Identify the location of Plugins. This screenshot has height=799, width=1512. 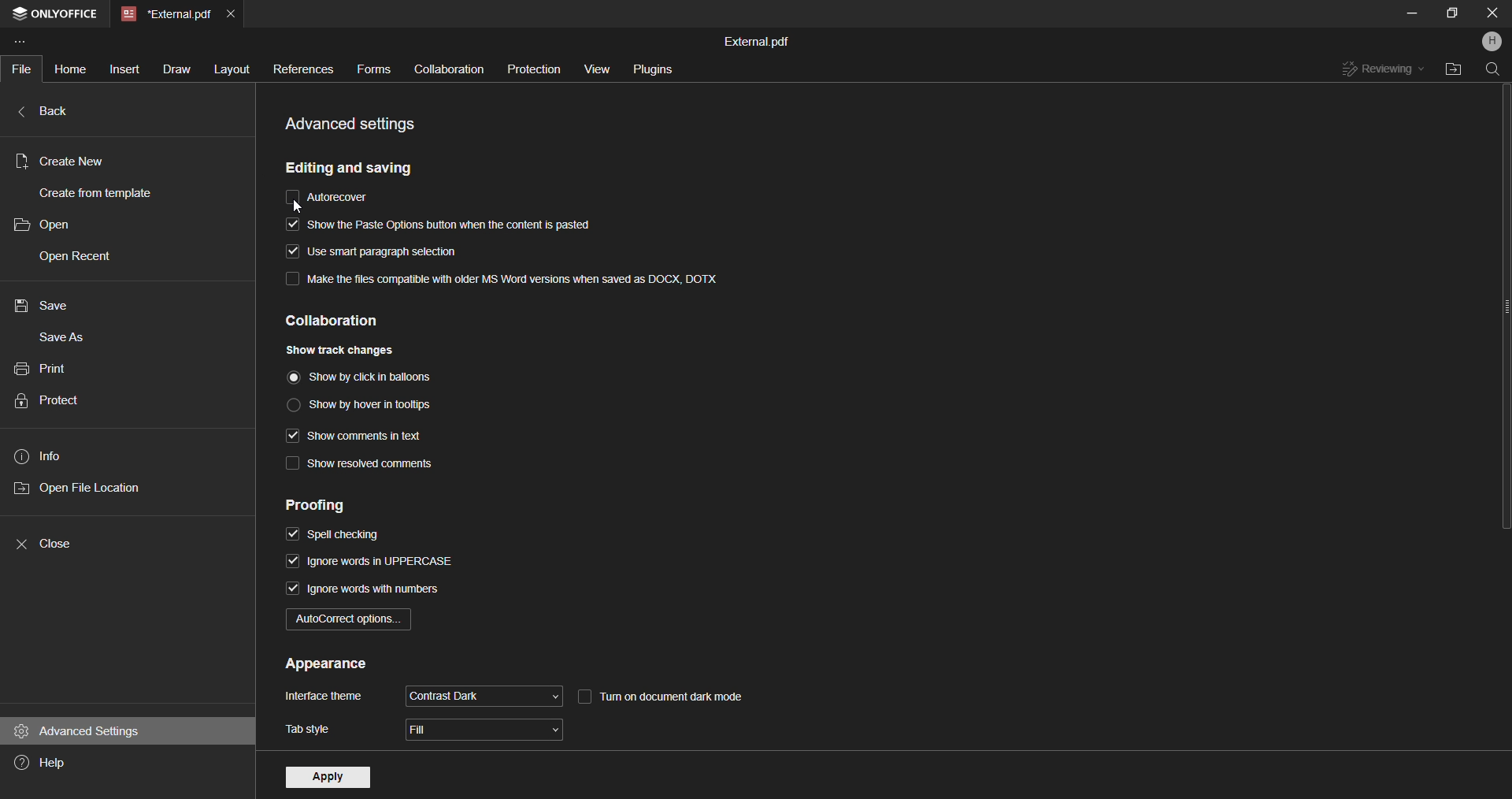
(651, 67).